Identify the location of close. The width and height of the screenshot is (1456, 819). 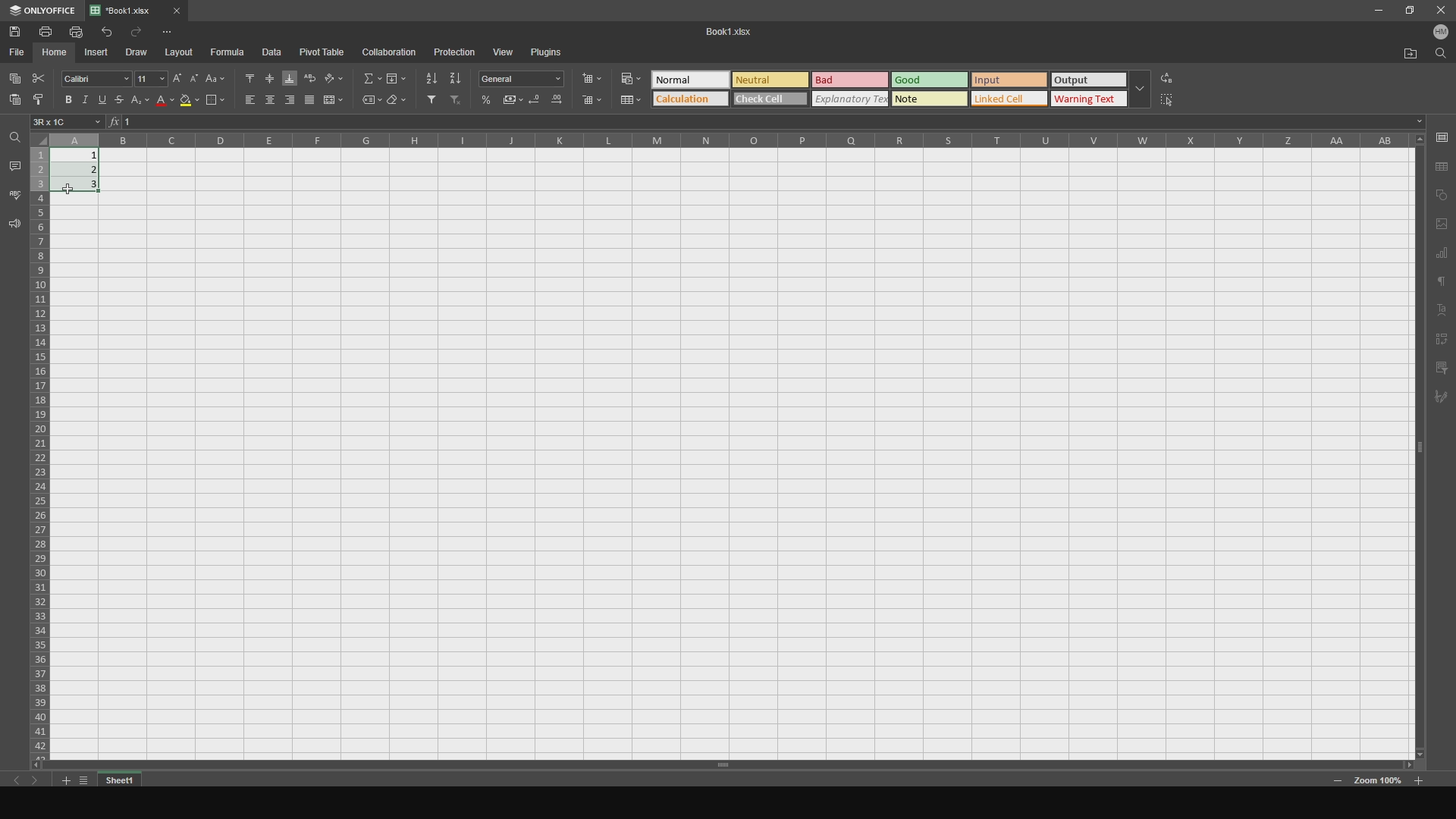
(1439, 11).